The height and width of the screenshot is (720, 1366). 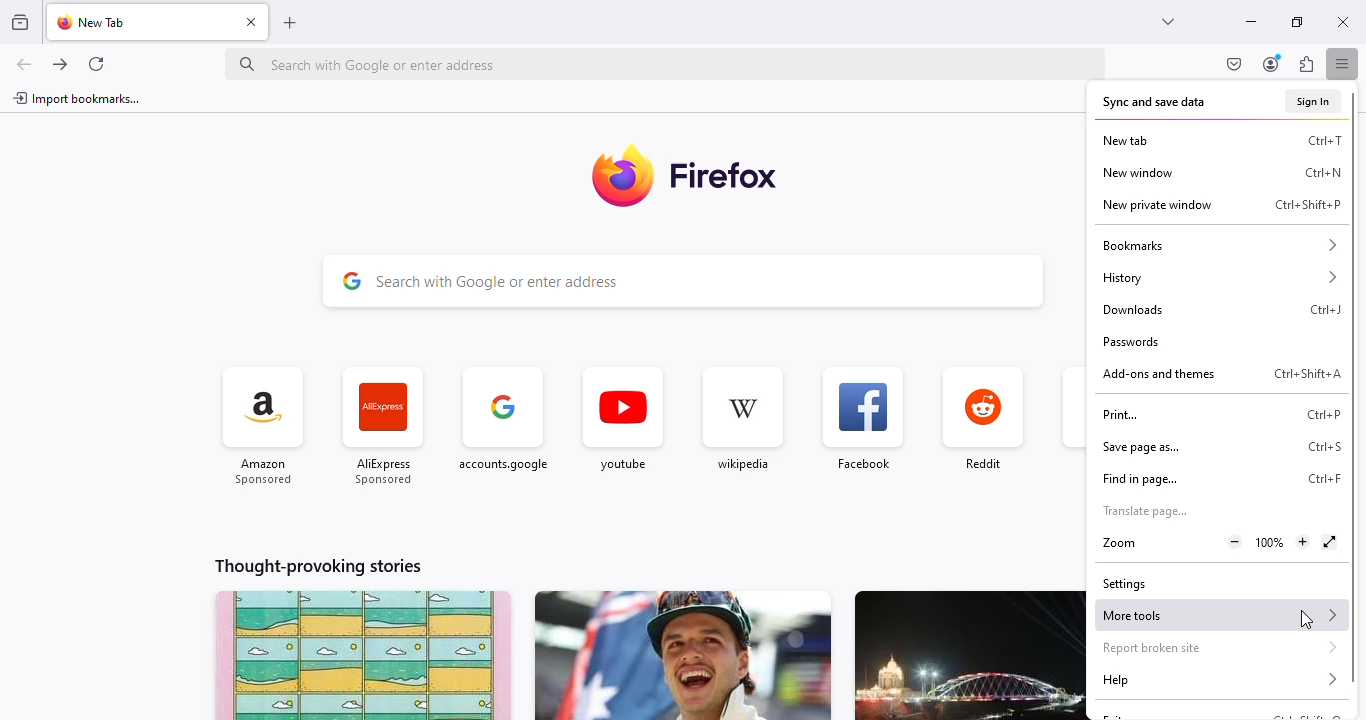 I want to click on minimize, so click(x=1251, y=22).